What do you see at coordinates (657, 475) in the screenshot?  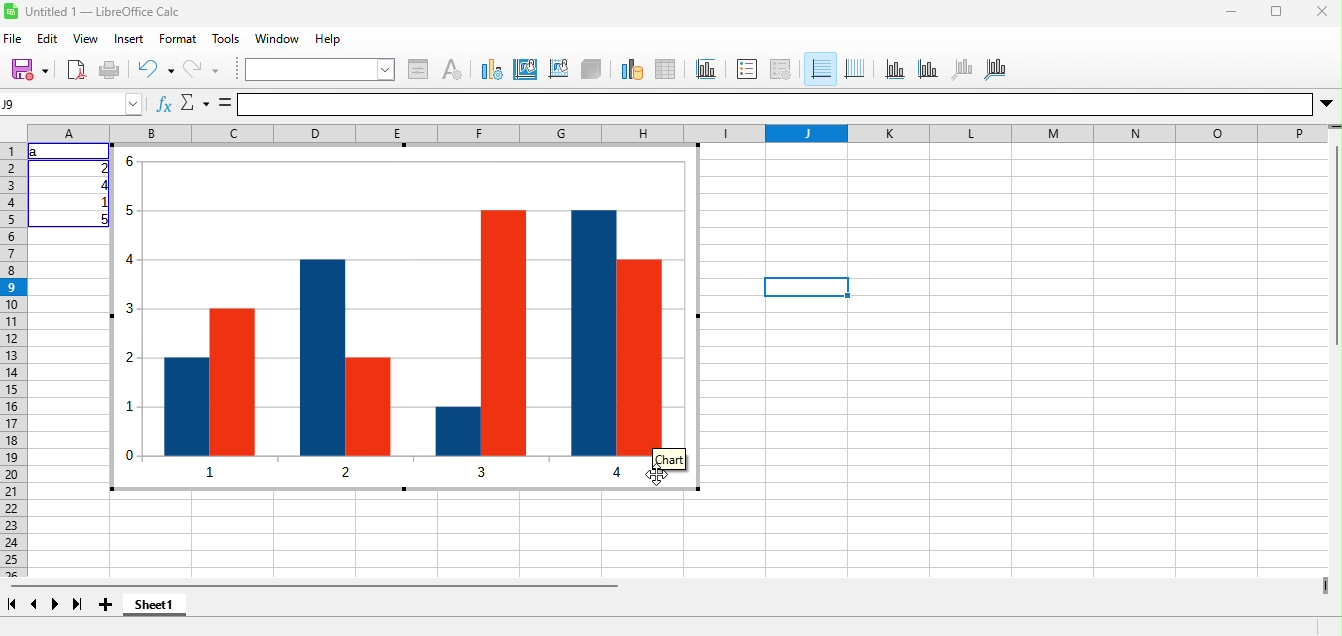 I see `cursor` at bounding box center [657, 475].